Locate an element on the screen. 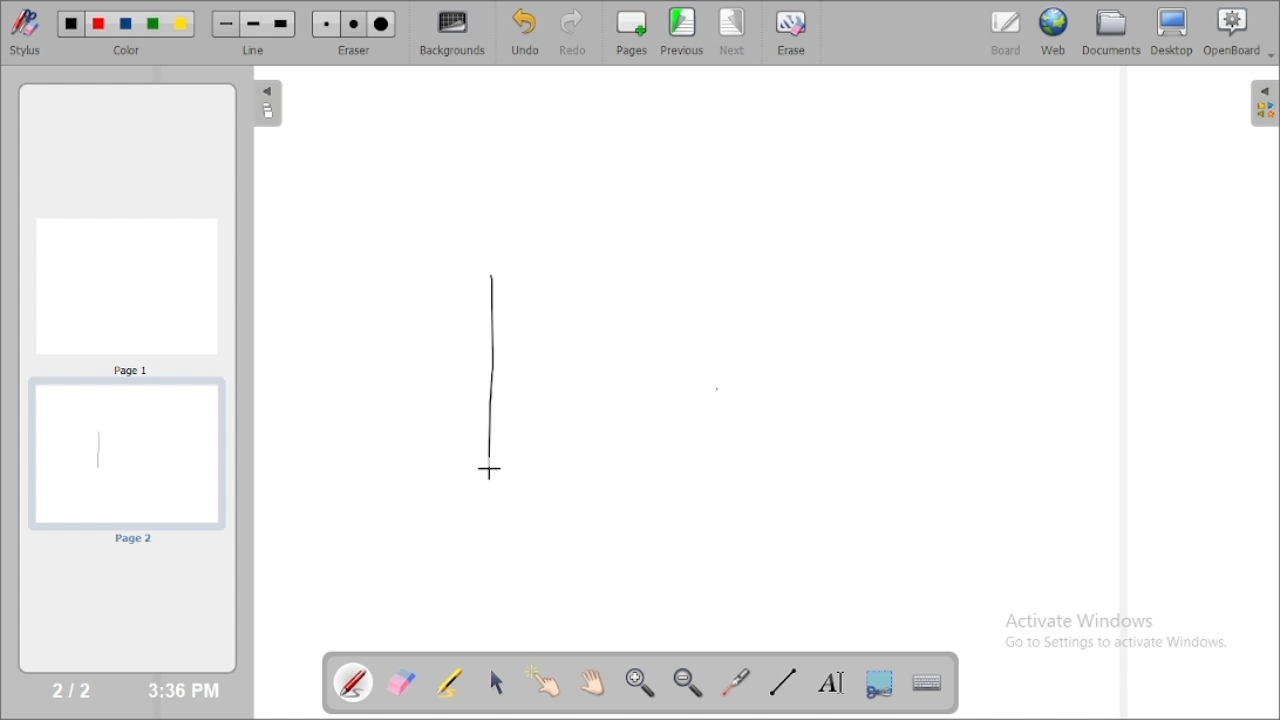 The image size is (1280, 720). line is located at coordinates (490, 362).